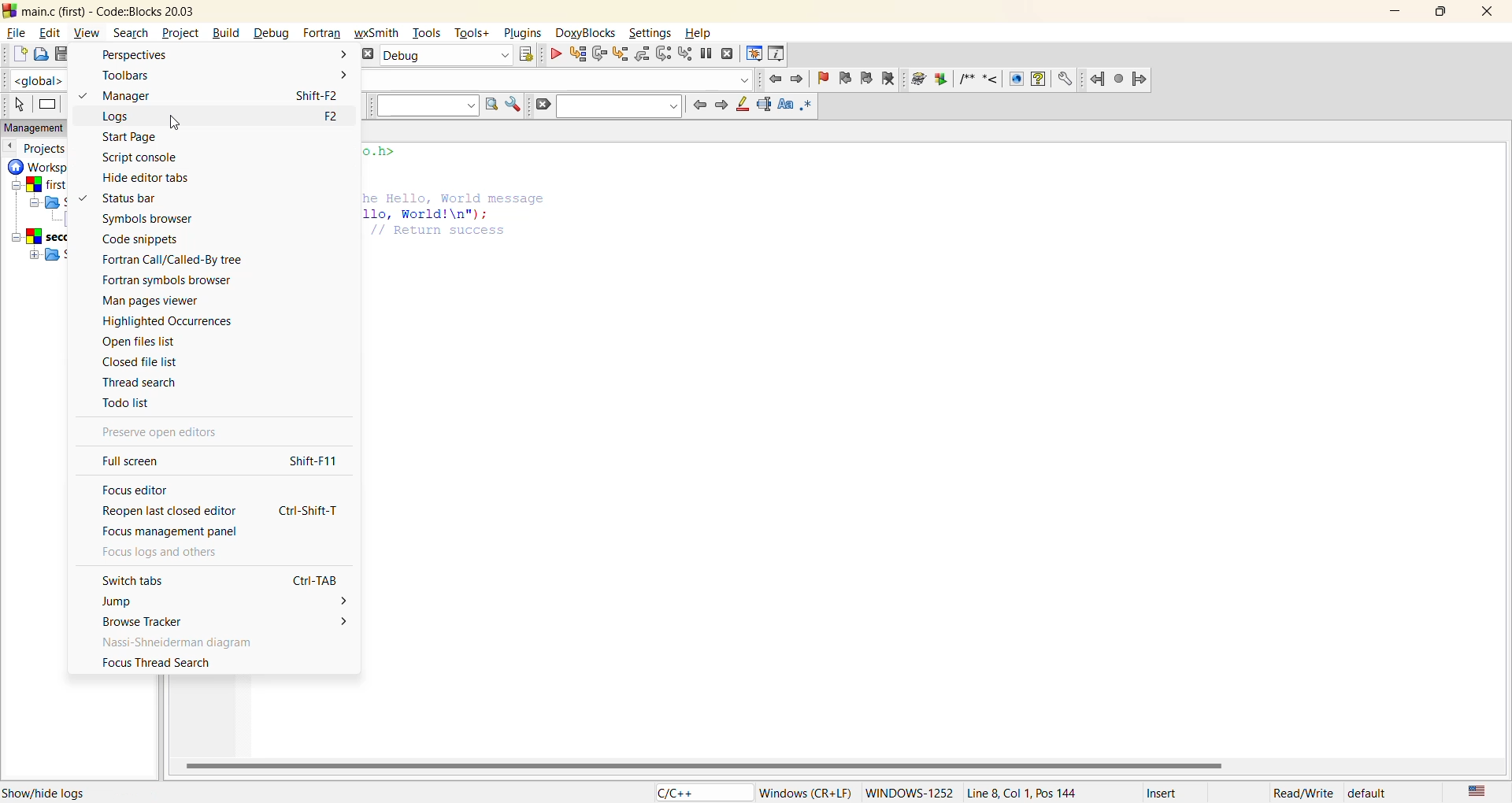 The height and width of the screenshot is (803, 1512). I want to click on stop debugger, so click(730, 54).